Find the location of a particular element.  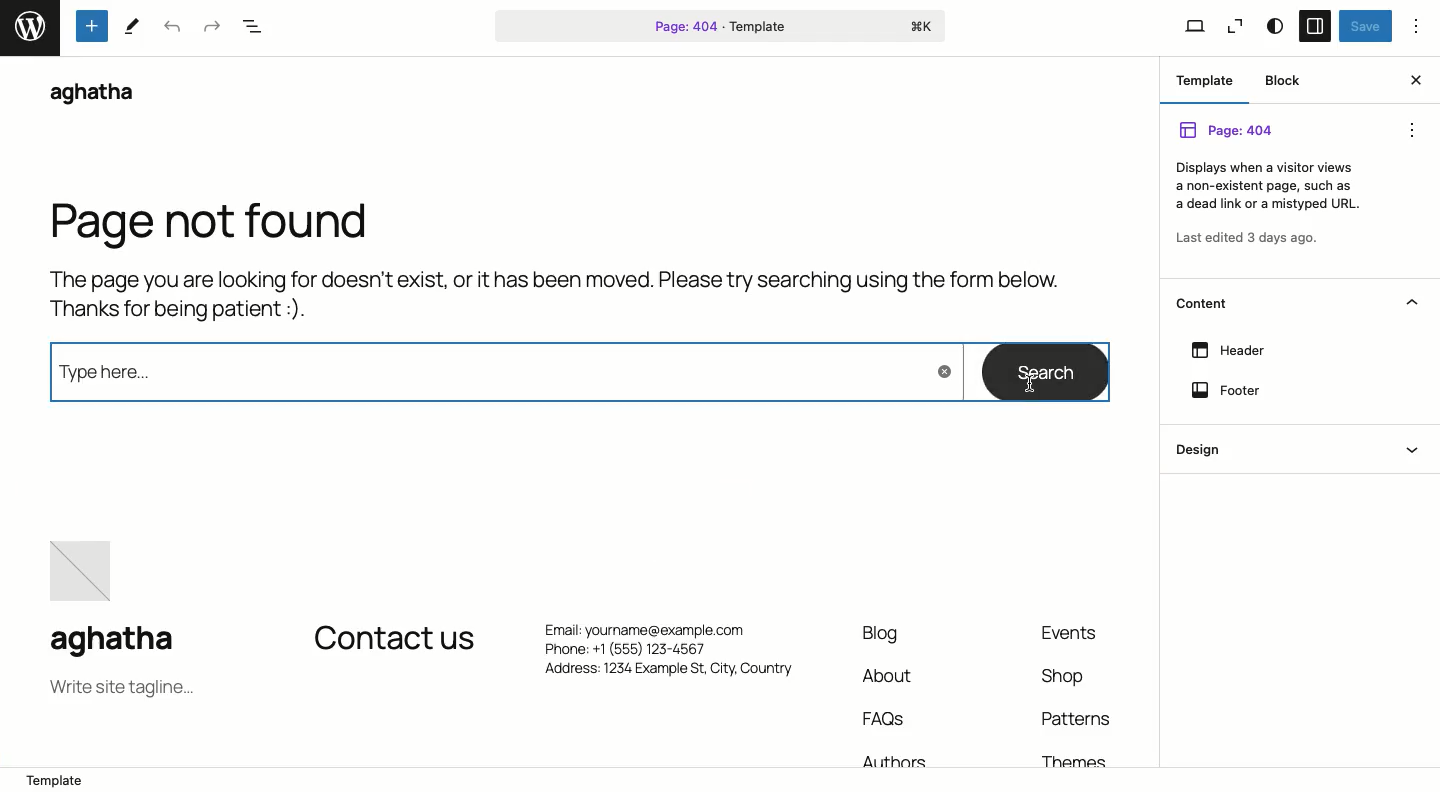

Design is located at coordinates (1205, 449).